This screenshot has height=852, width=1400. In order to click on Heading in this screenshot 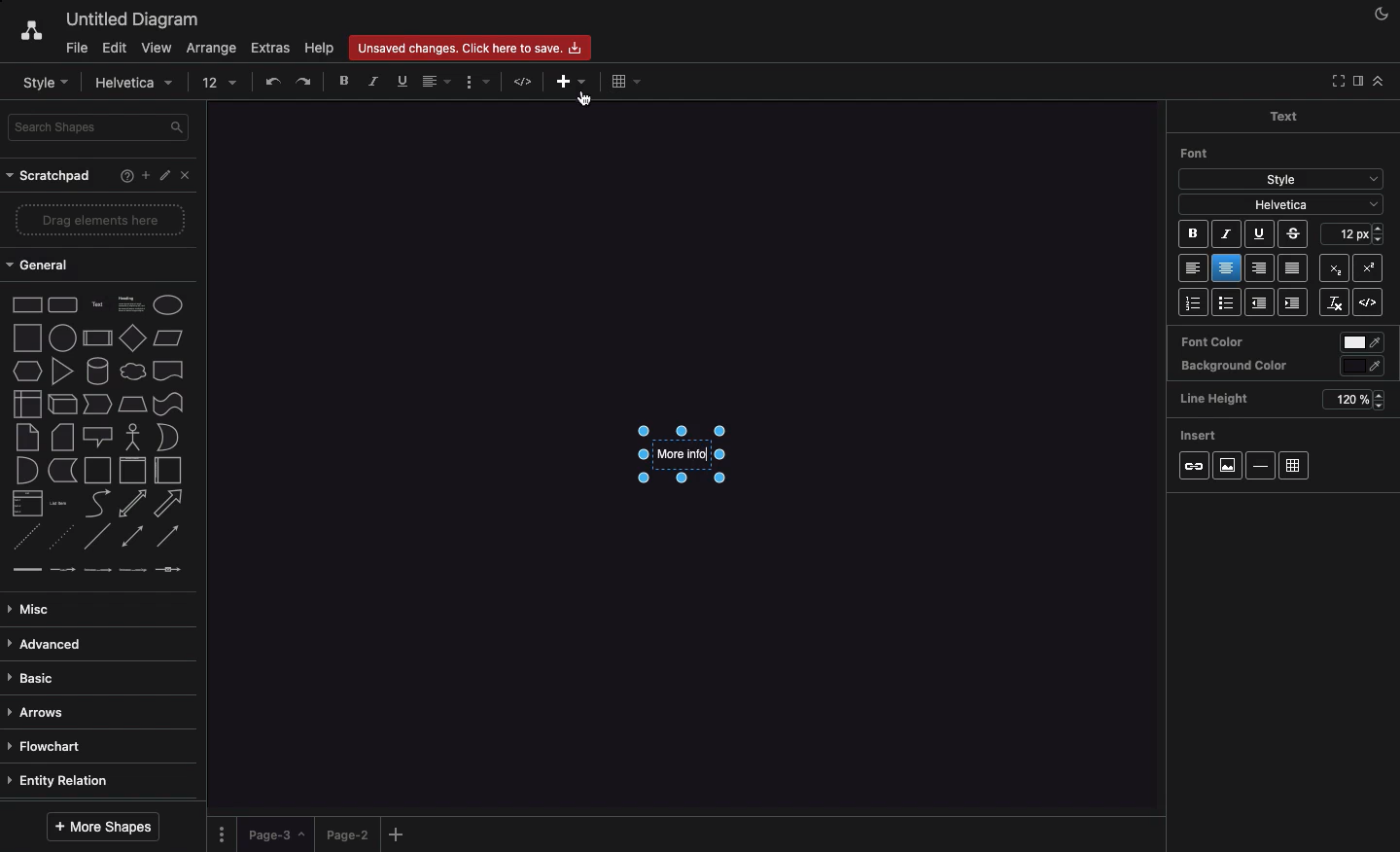, I will do `click(133, 302)`.